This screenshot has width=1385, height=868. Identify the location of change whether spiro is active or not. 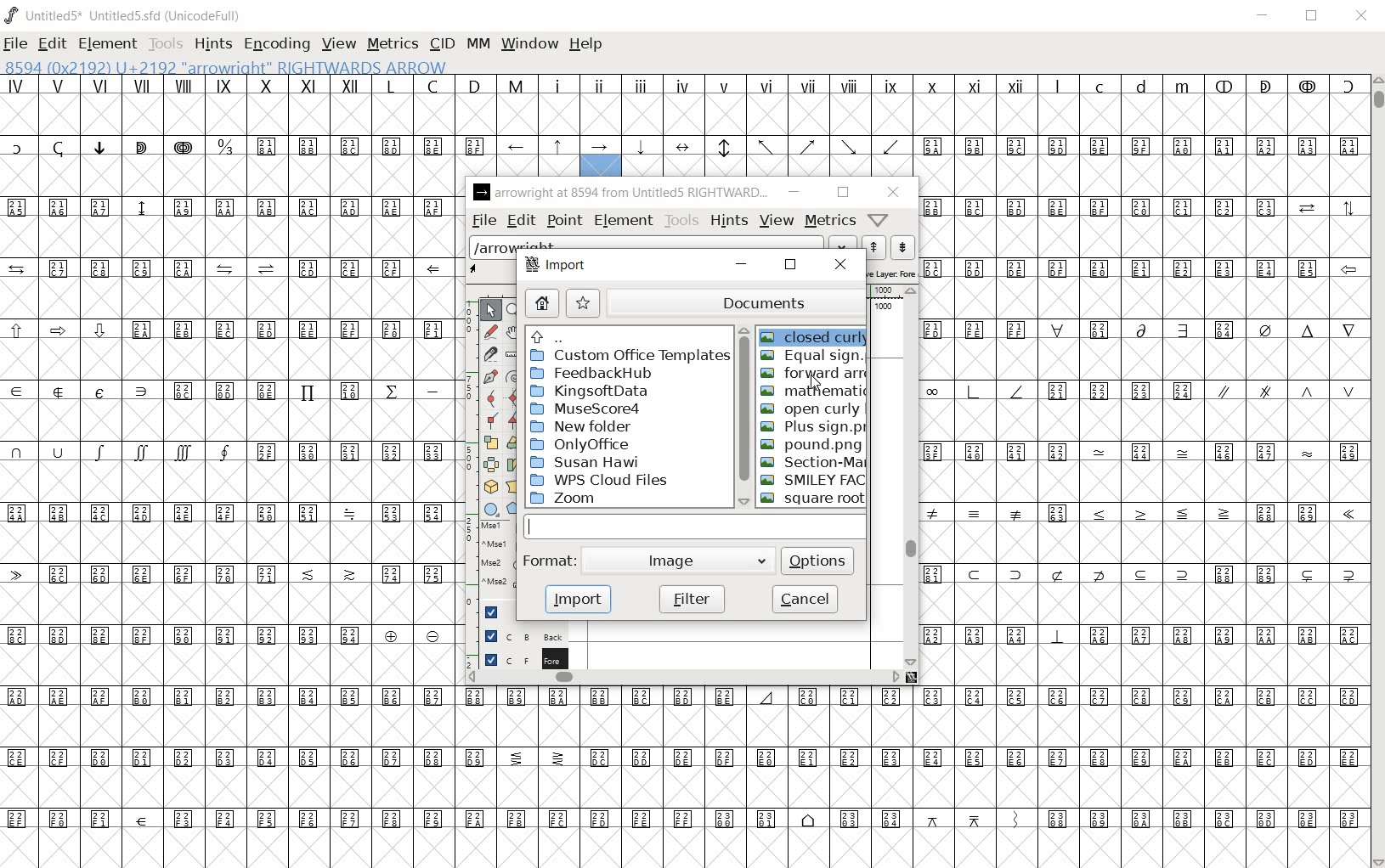
(514, 375).